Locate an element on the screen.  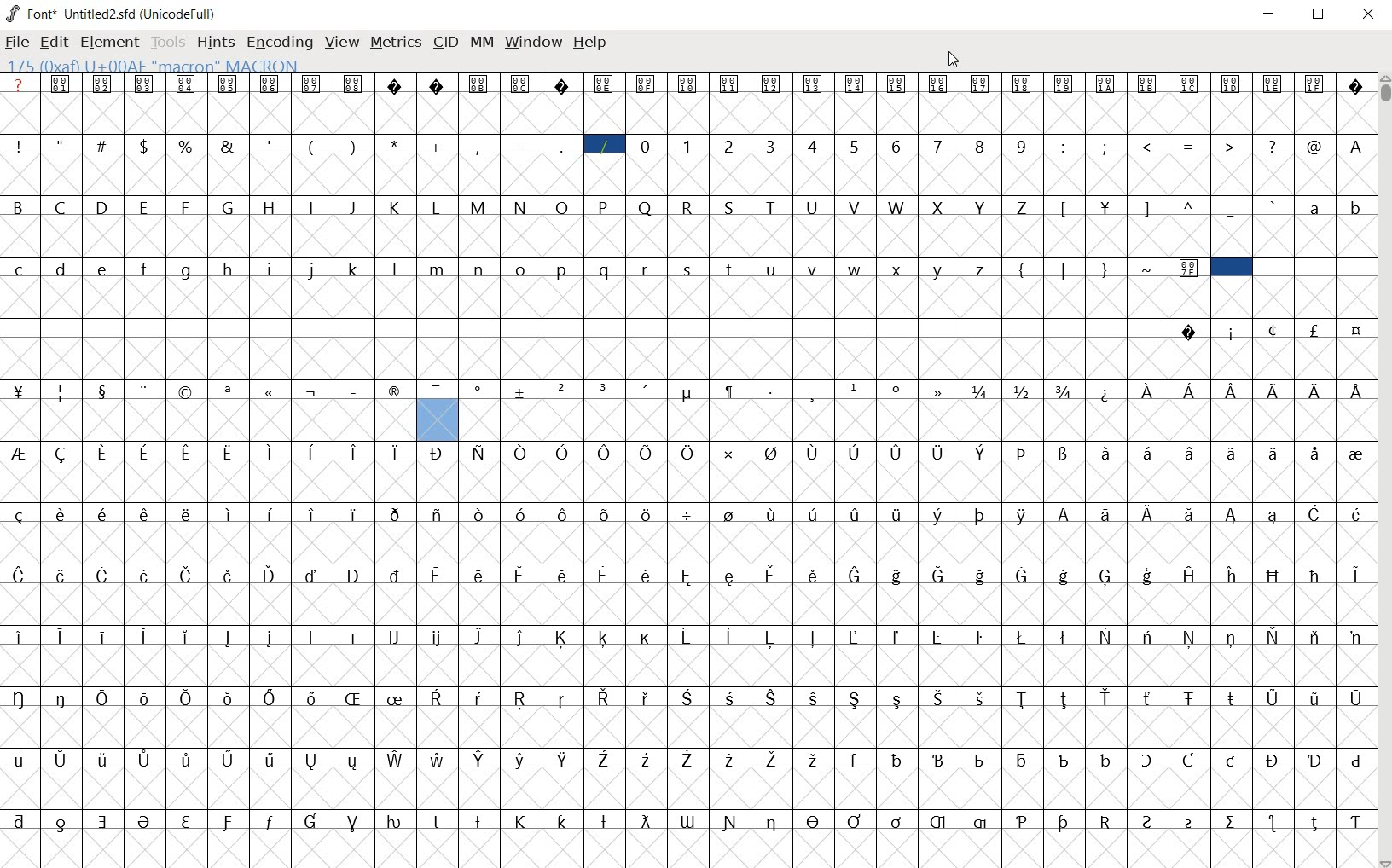
Symbol is located at coordinates (439, 758).